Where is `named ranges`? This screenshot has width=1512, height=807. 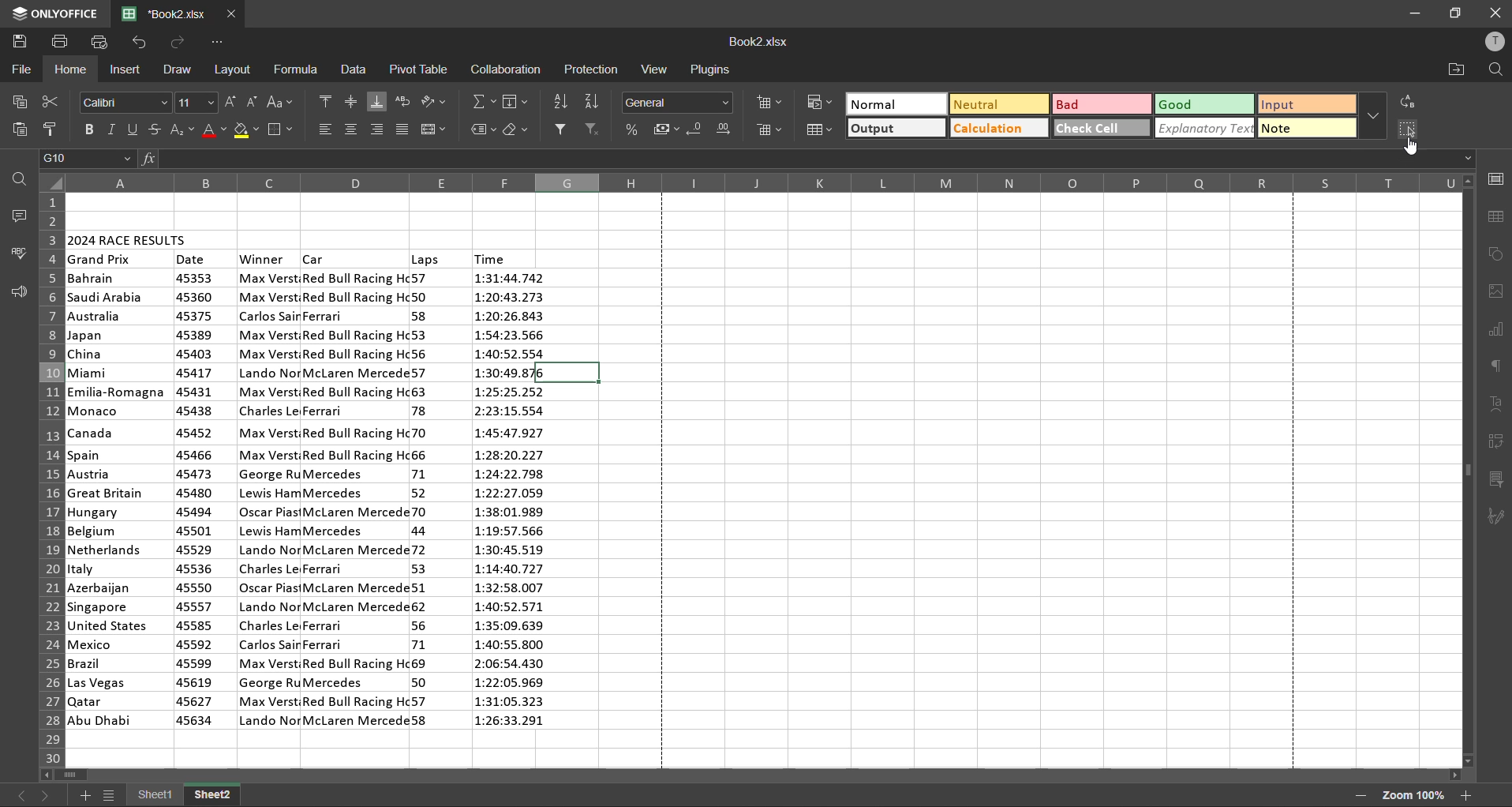 named ranges is located at coordinates (485, 129).